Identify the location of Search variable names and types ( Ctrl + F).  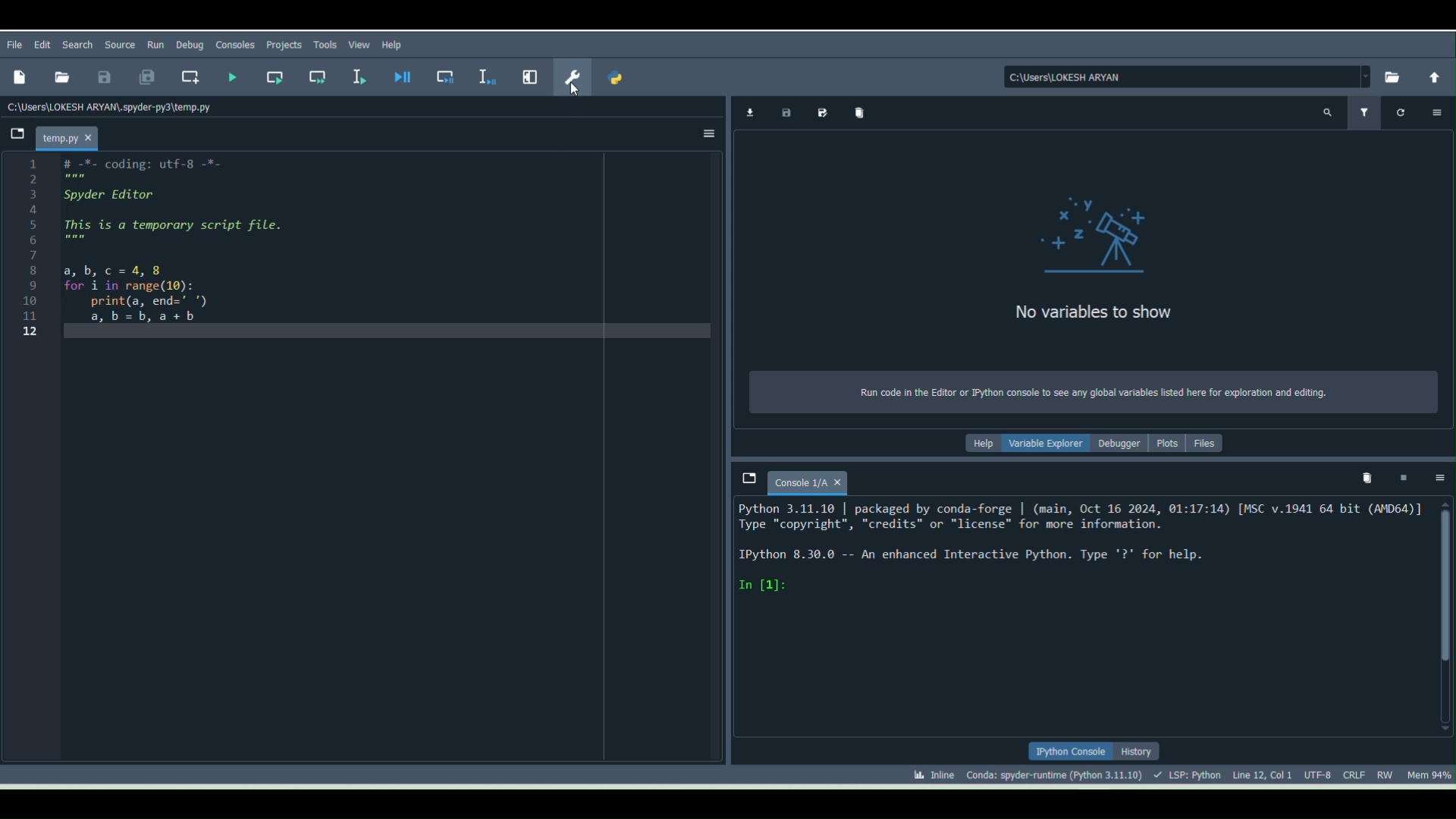
(1333, 111).